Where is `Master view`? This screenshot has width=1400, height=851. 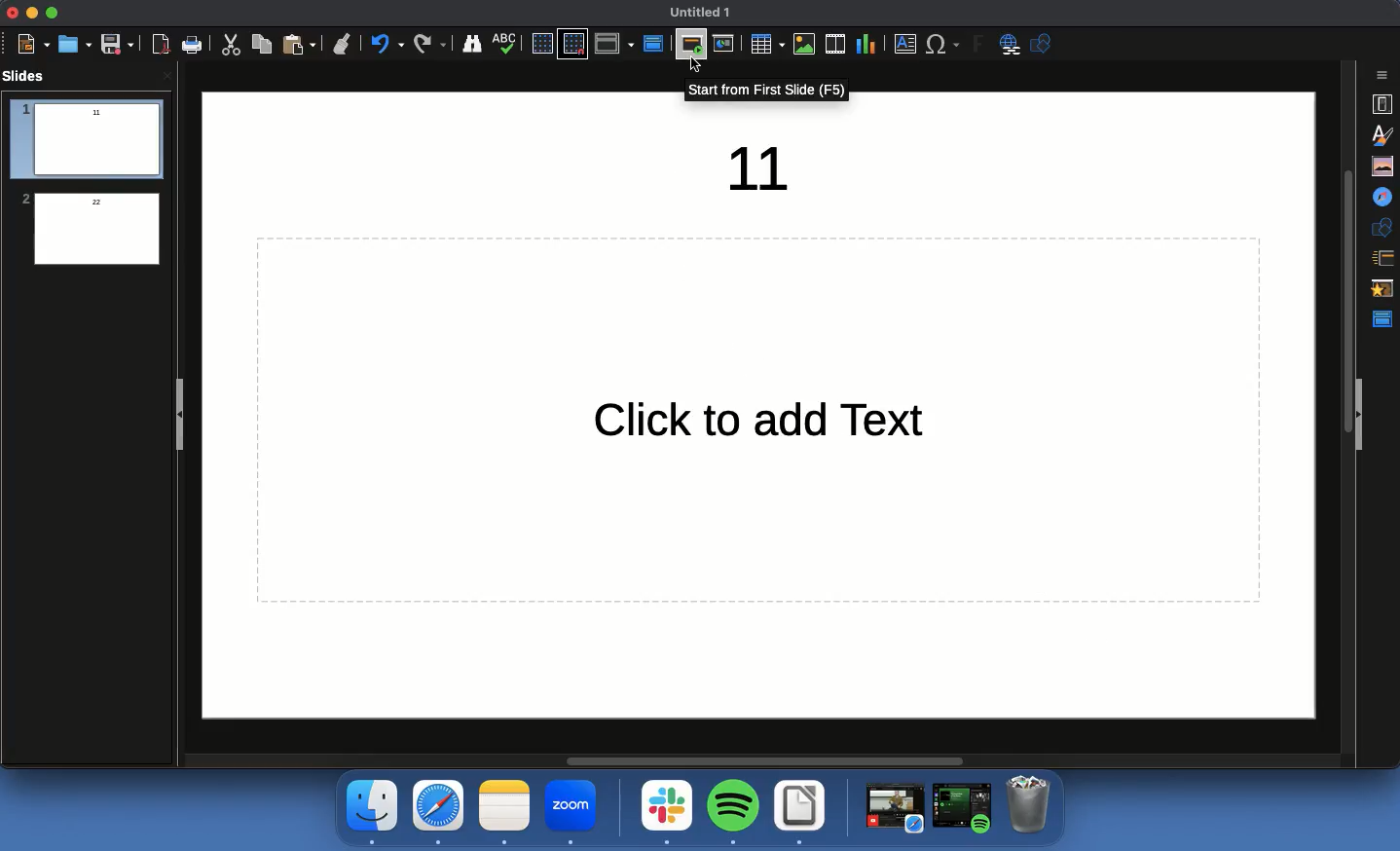 Master view is located at coordinates (652, 44).